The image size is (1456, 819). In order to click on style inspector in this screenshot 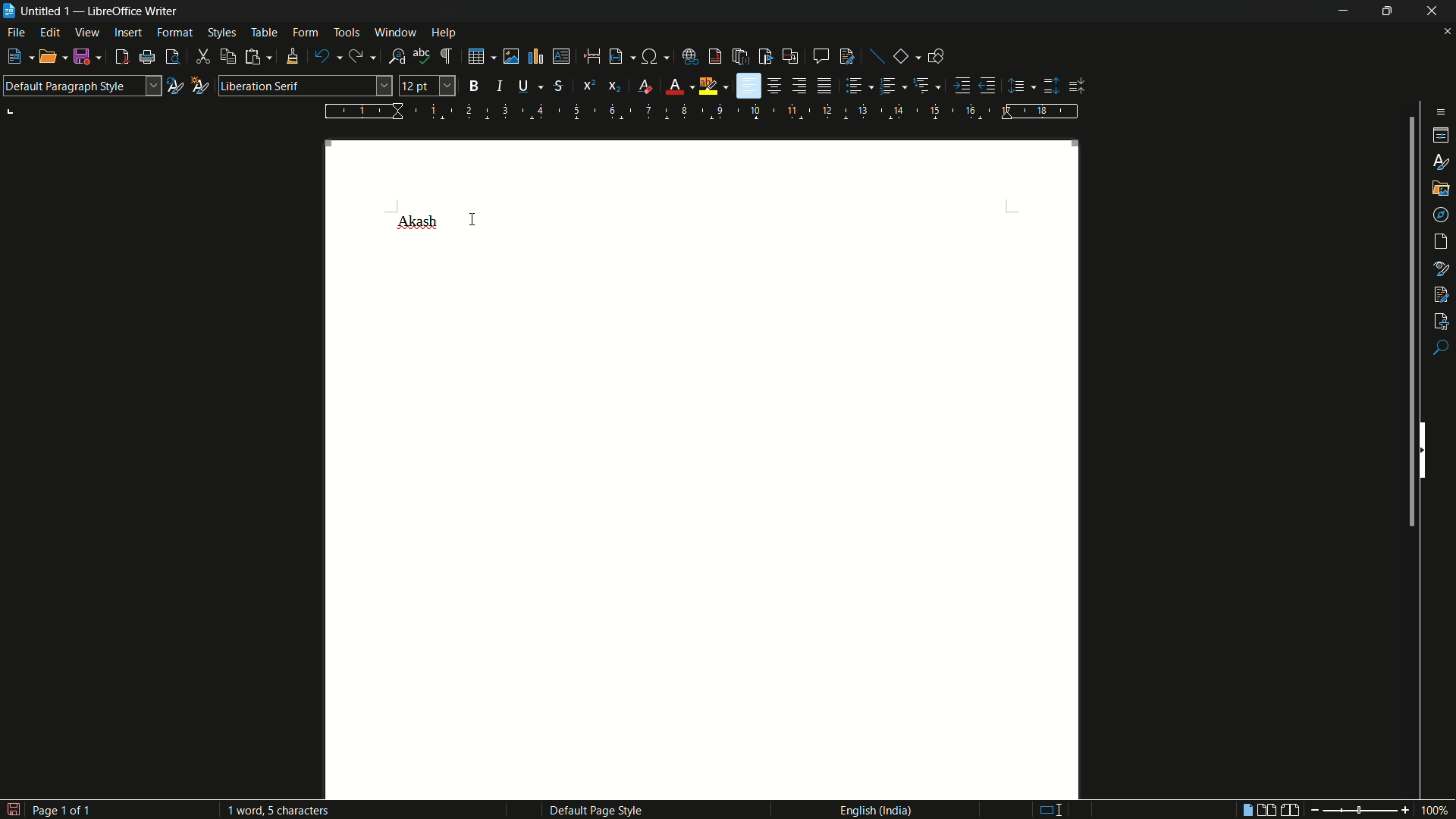, I will do `click(1442, 267)`.